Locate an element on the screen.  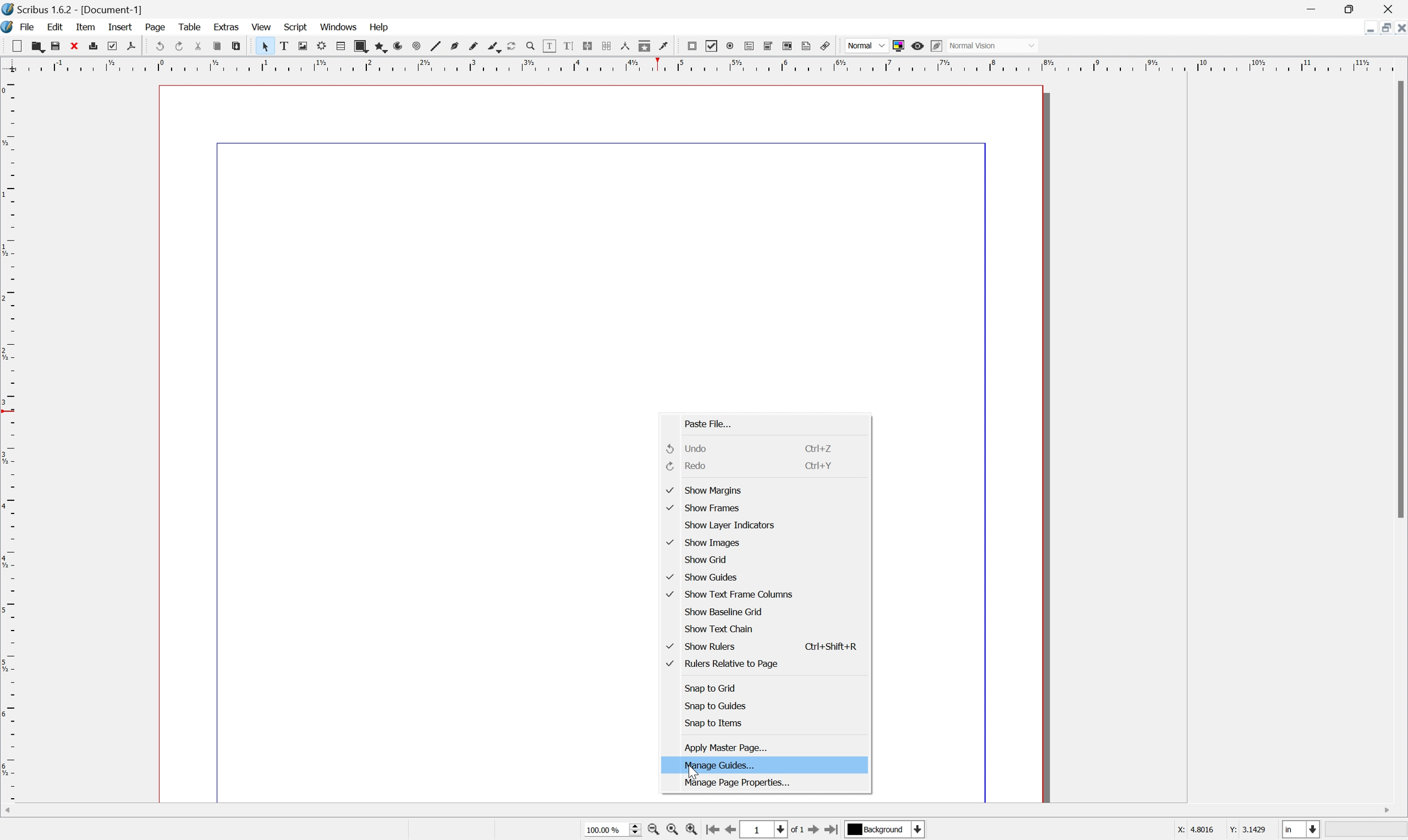
zoom in is located at coordinates (692, 829).